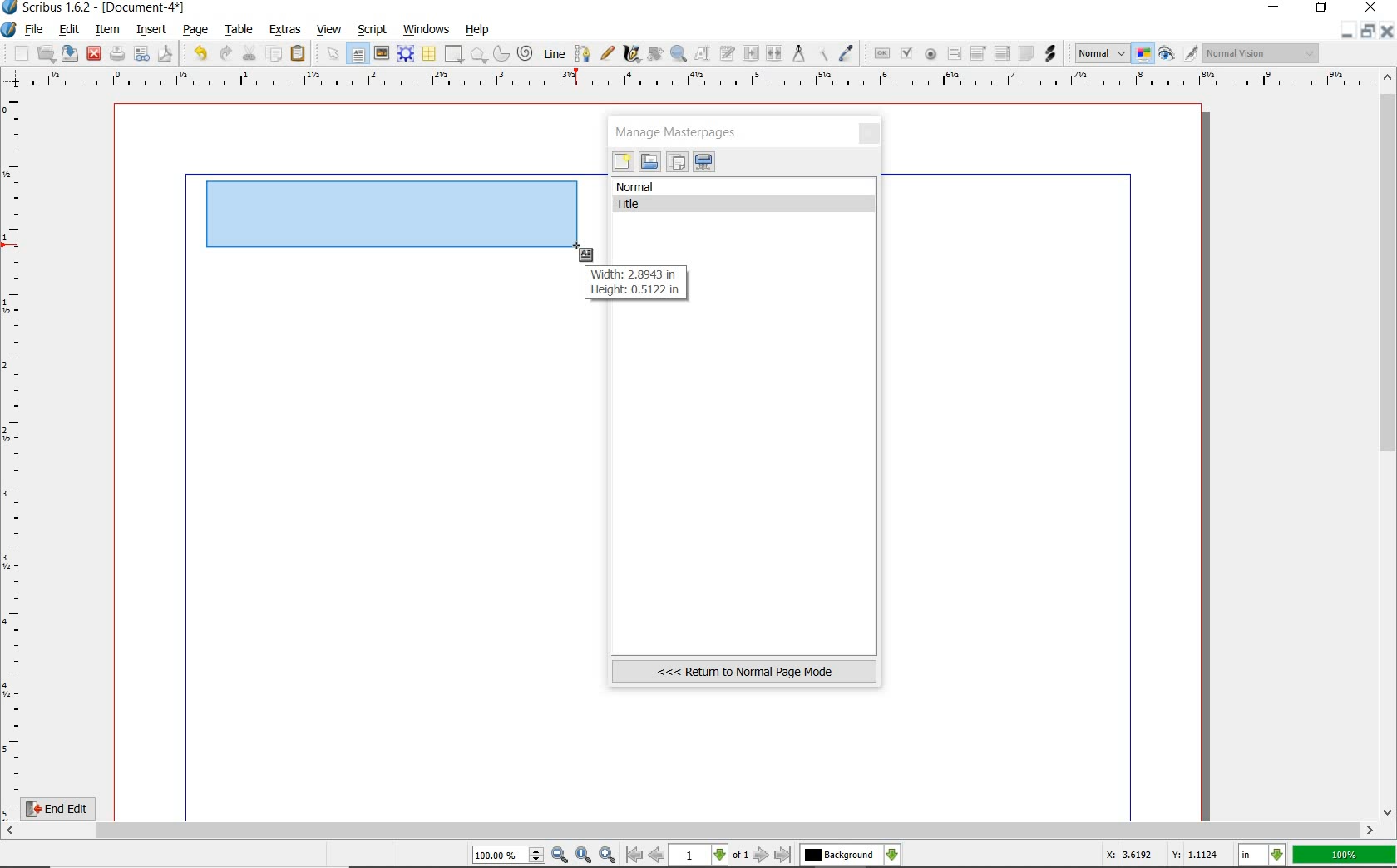 The width and height of the screenshot is (1397, 868). Describe the element at coordinates (783, 855) in the screenshot. I see `go to last page` at that location.